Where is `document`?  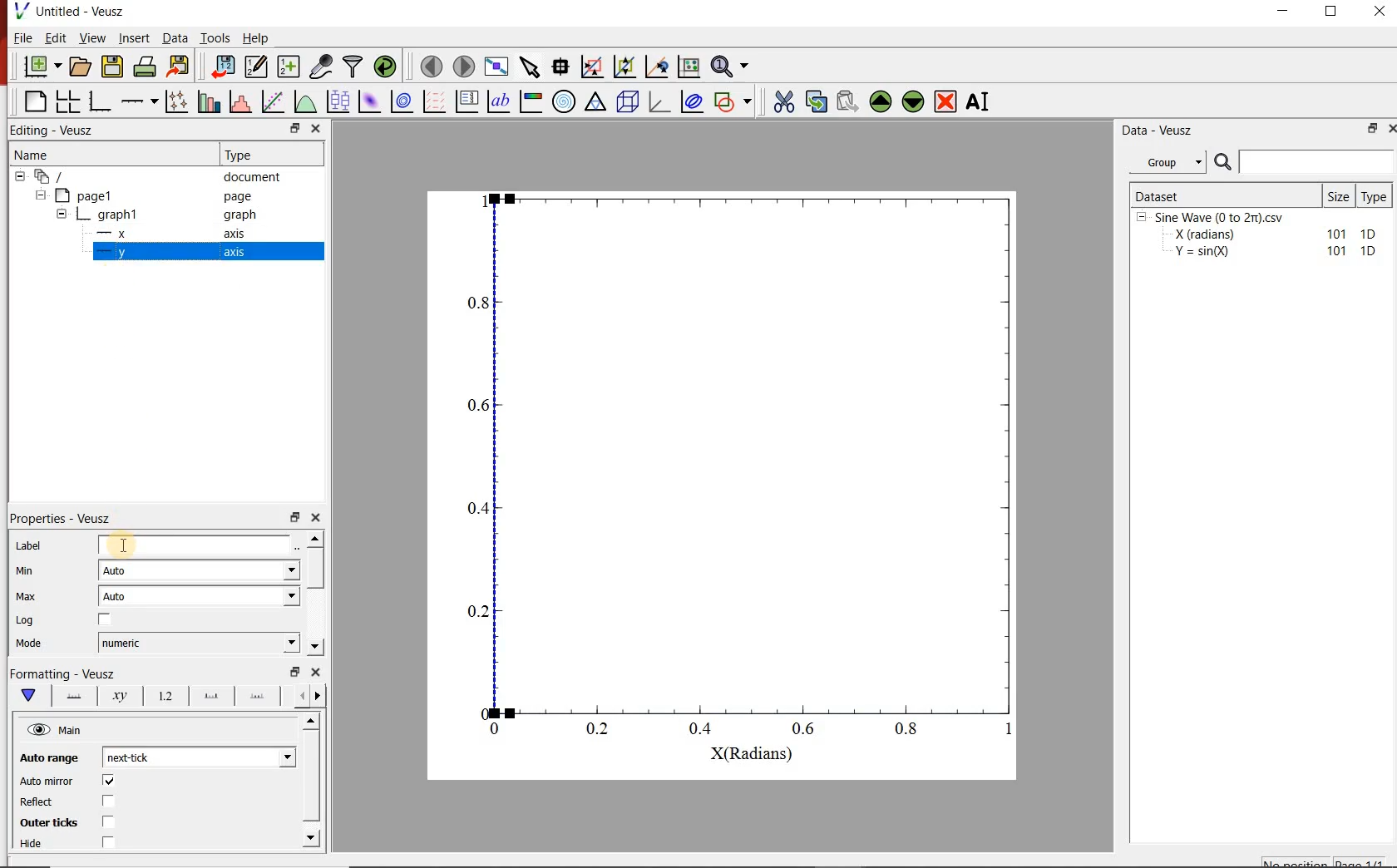 document is located at coordinates (253, 177).